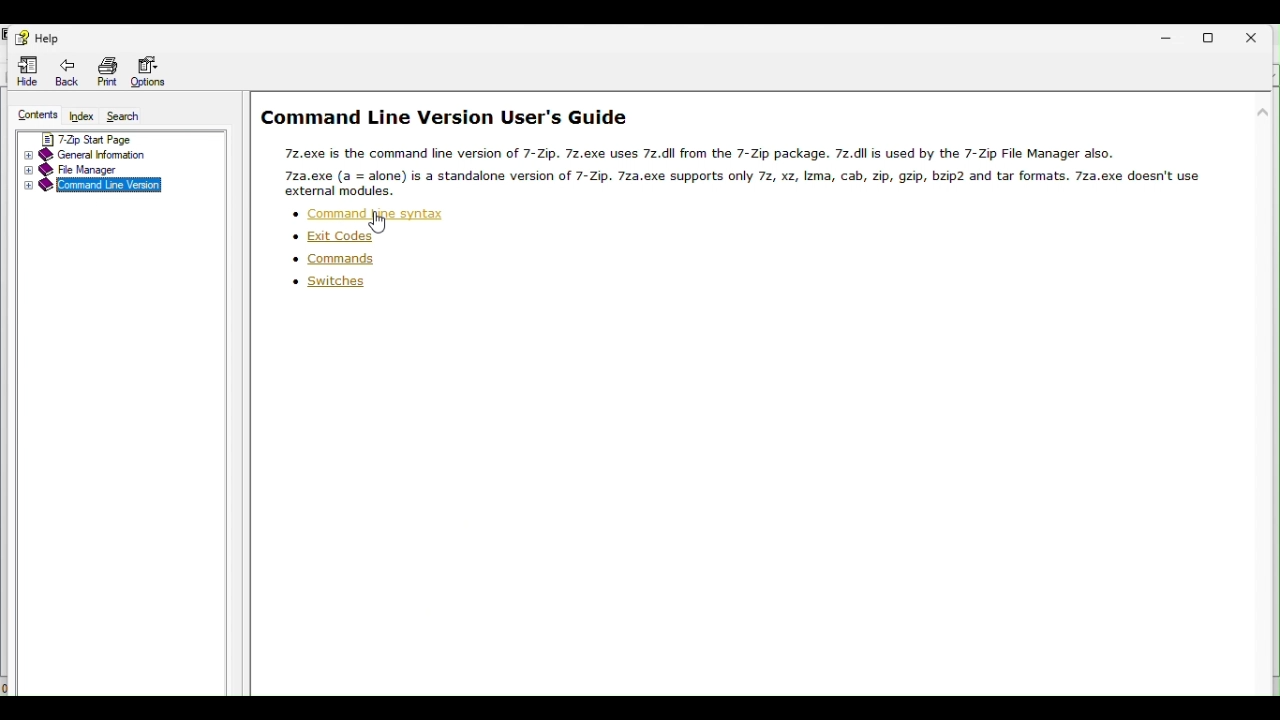  Describe the element at coordinates (30, 70) in the screenshot. I see `Hide` at that location.